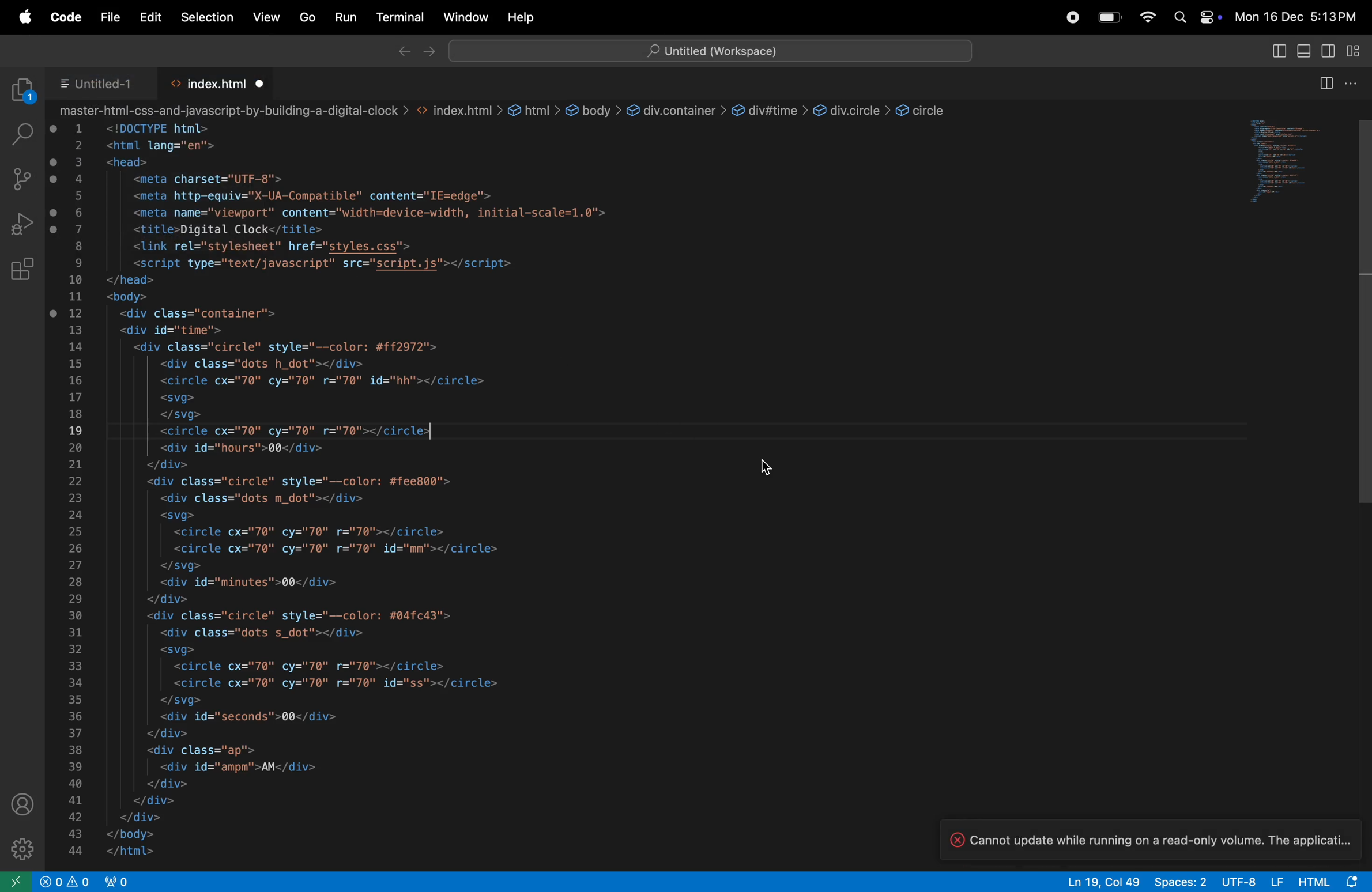  I want to click on <div id="ampm'>AM</div>, so click(242, 766).